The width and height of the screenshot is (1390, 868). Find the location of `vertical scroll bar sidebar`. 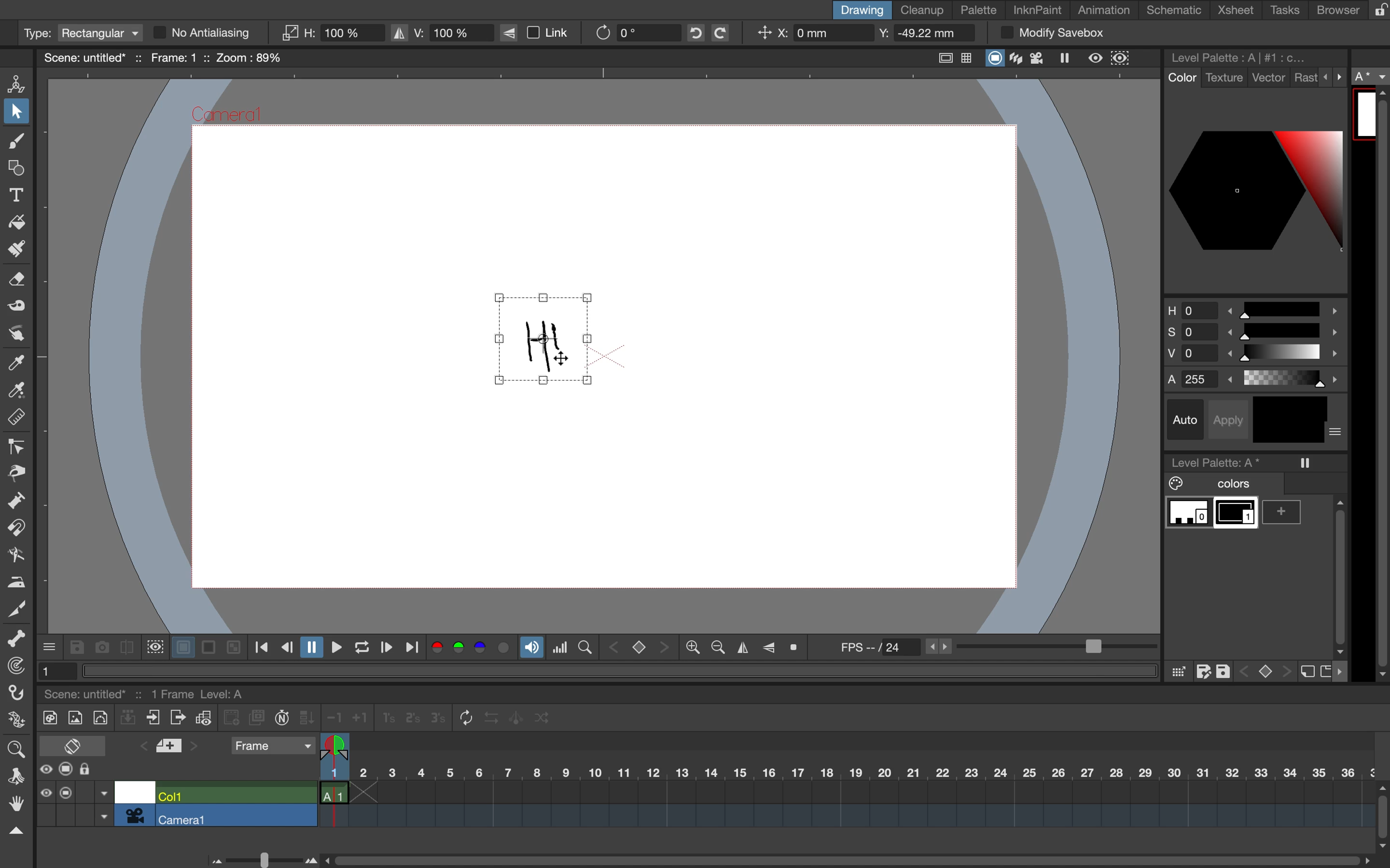

vertical scroll bar sidebar is located at coordinates (1338, 572).